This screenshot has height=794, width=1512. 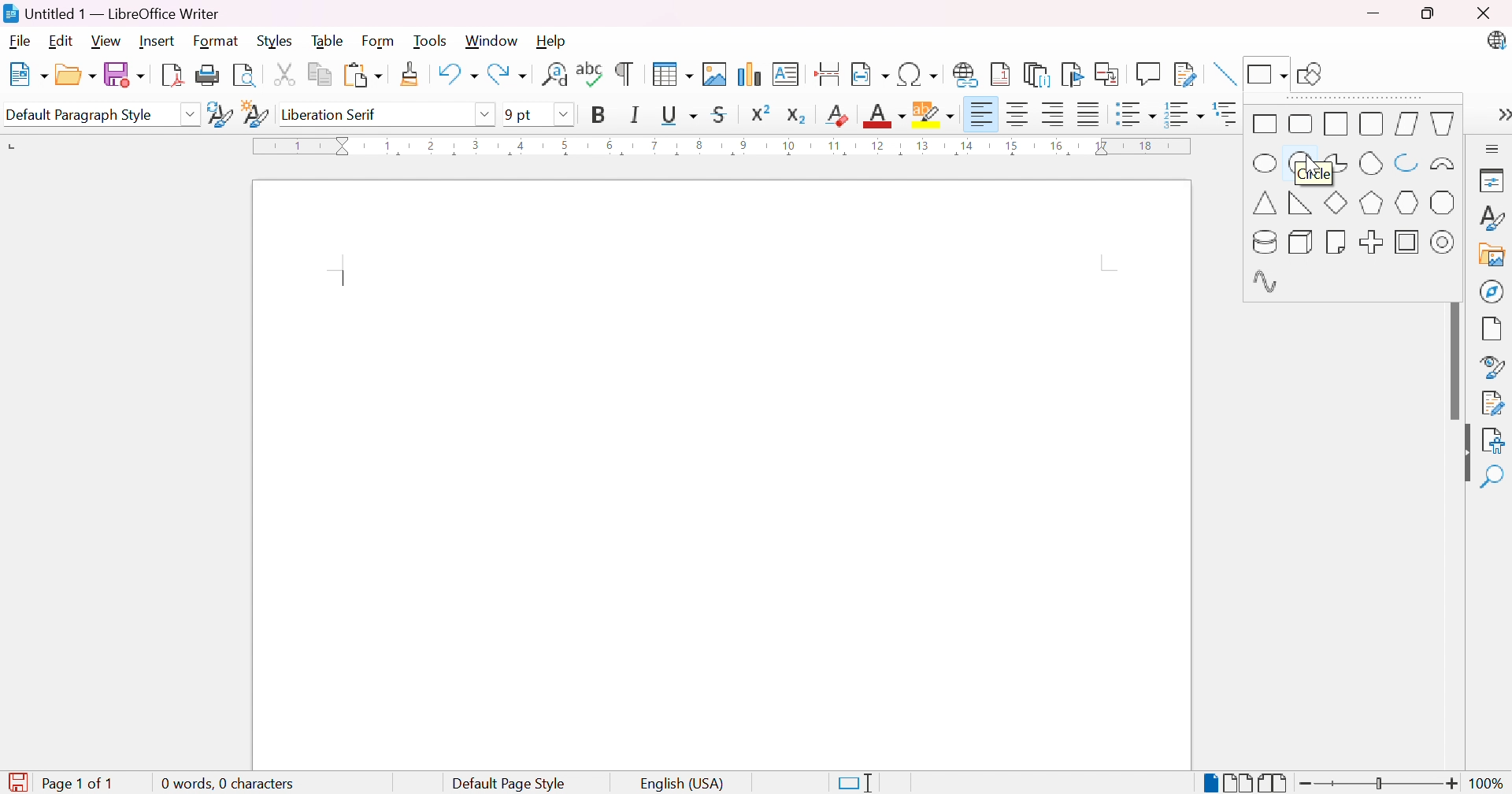 What do you see at coordinates (1001, 72) in the screenshot?
I see `Insert footnote` at bounding box center [1001, 72].